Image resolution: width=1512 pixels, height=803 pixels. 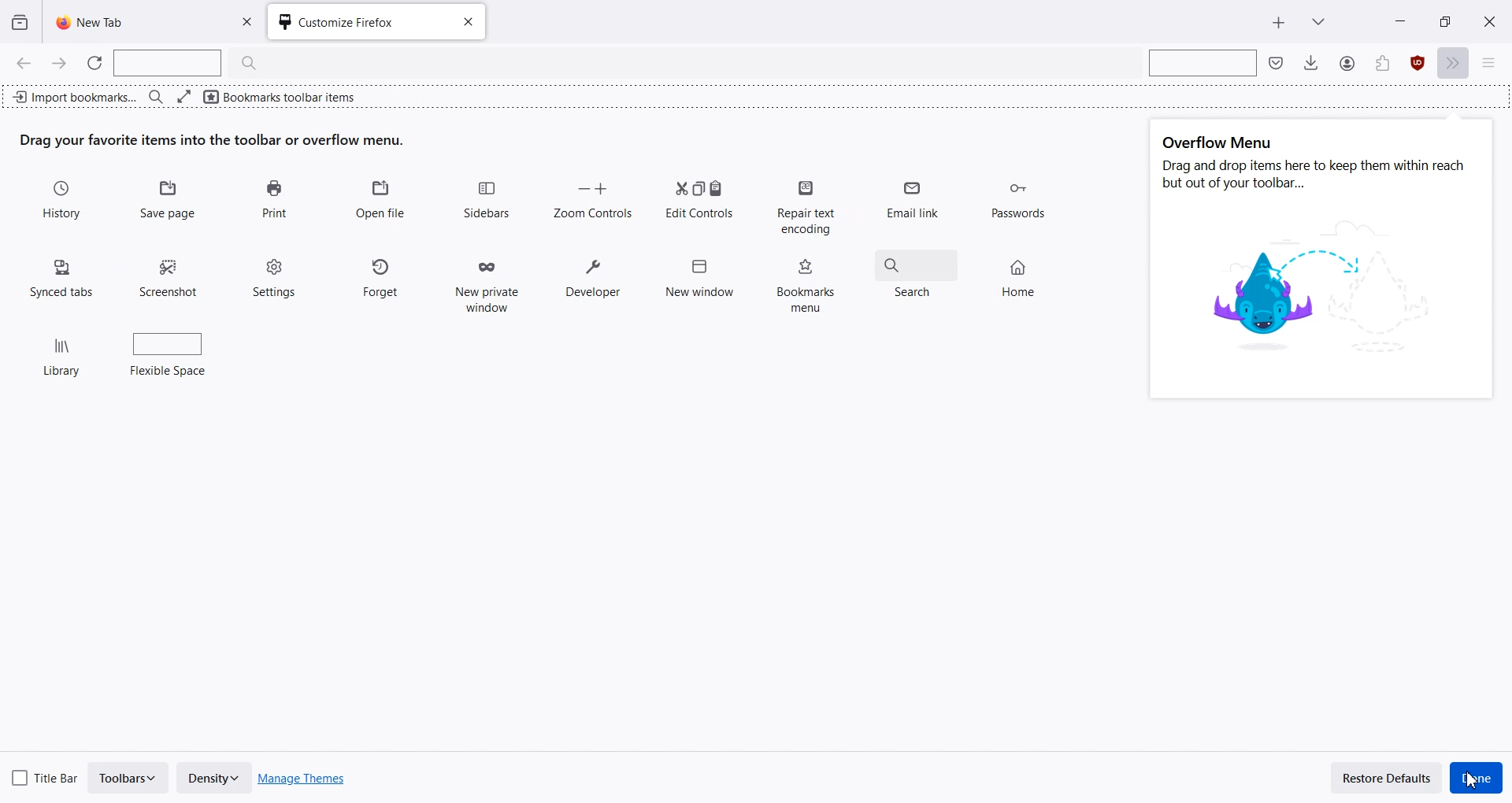 I want to click on Done, so click(x=1477, y=778).